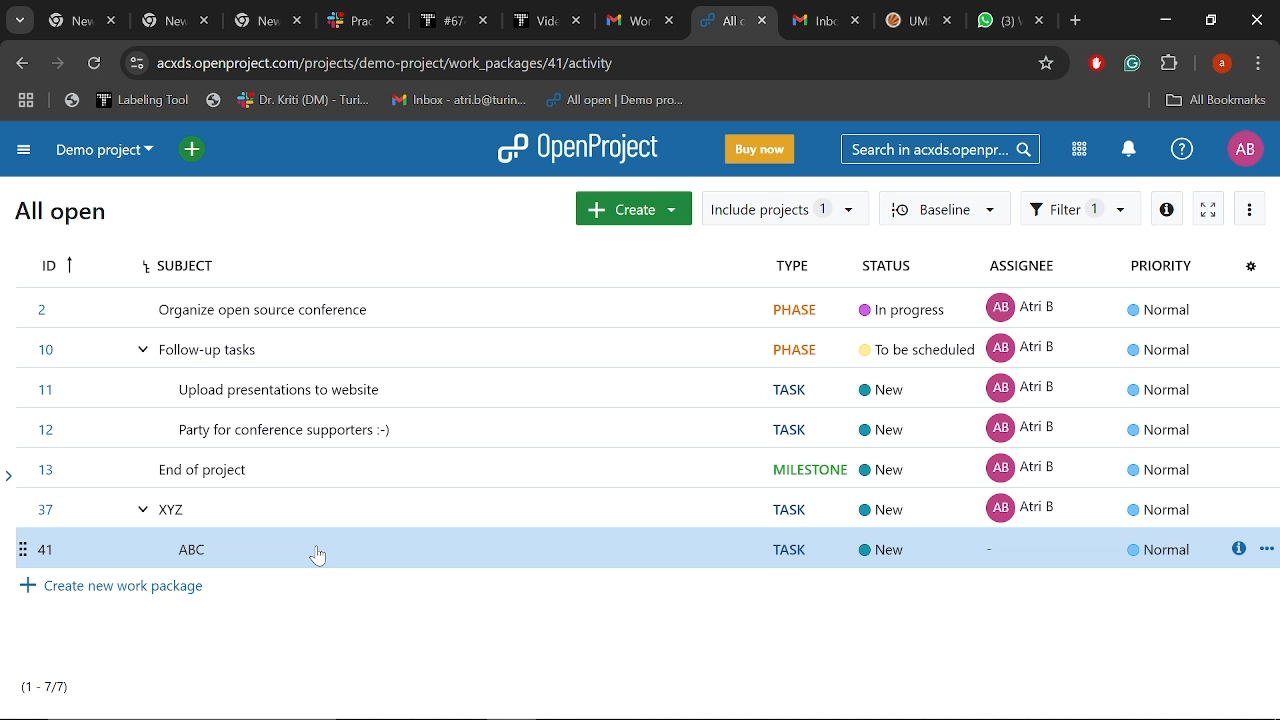  What do you see at coordinates (592, 63) in the screenshot?
I see `Current site address` at bounding box center [592, 63].